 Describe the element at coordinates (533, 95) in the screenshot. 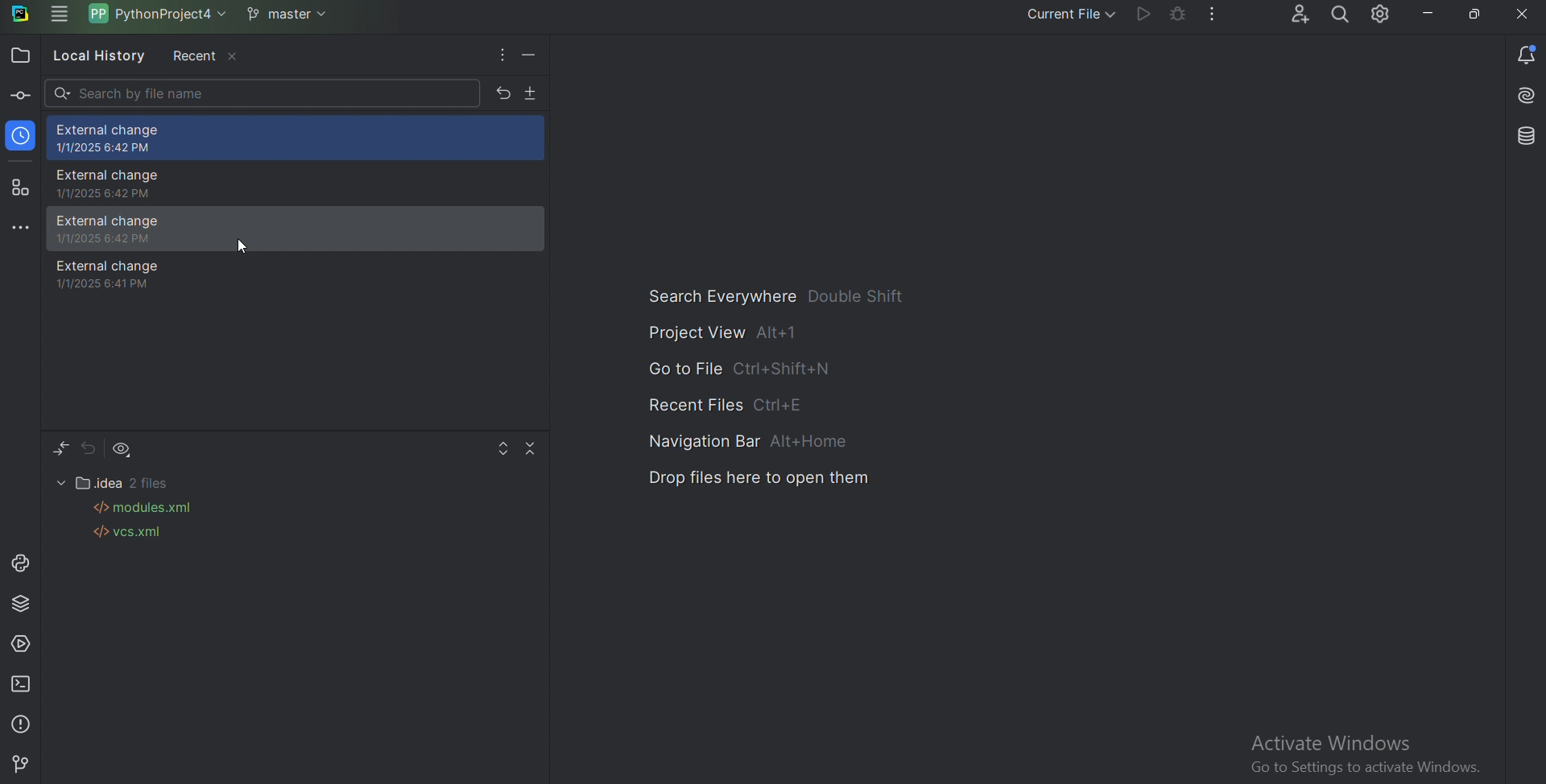

I see `Create patch` at that location.